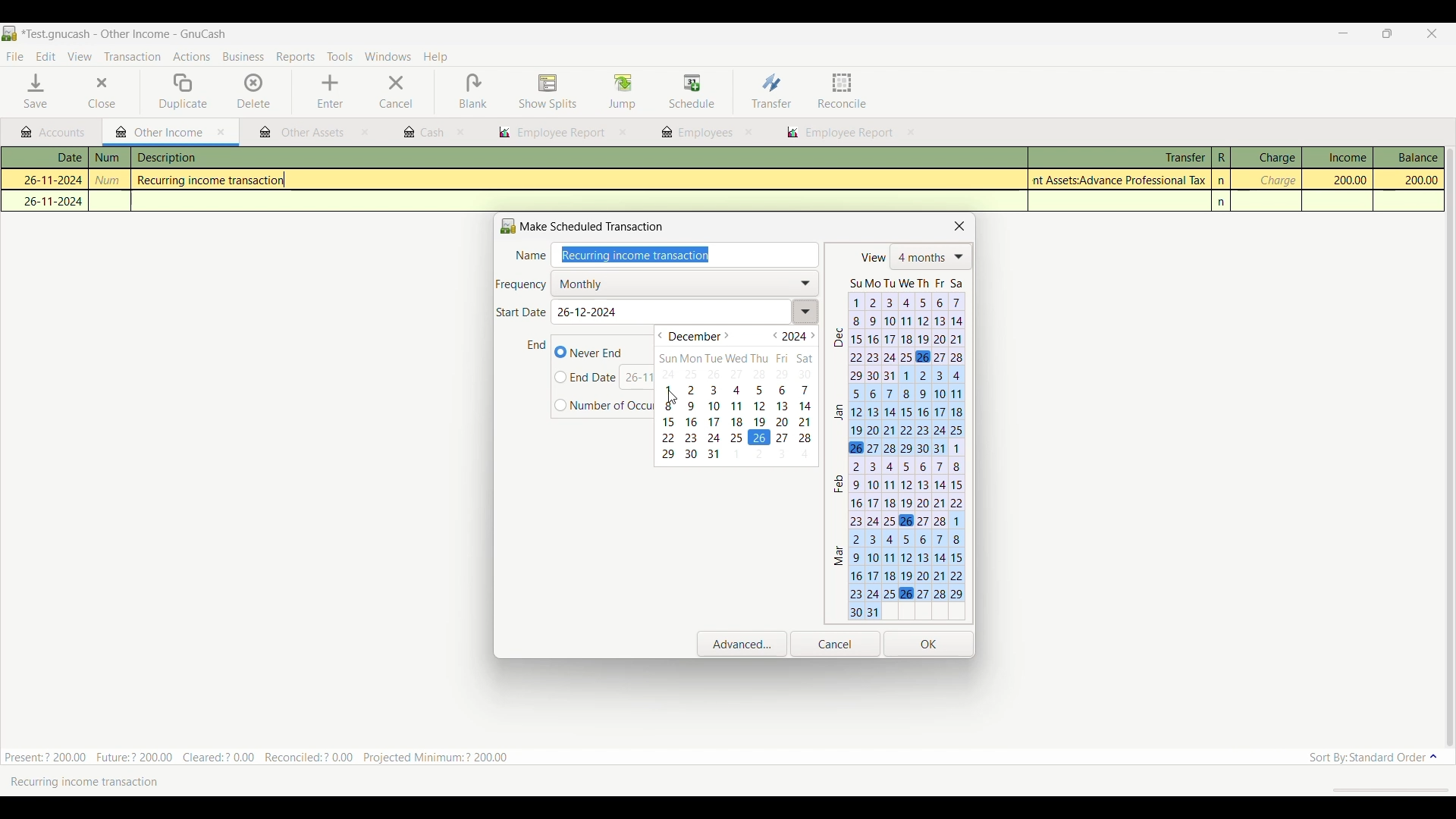 Image resolution: width=1456 pixels, height=819 pixels. What do you see at coordinates (37, 91) in the screenshot?
I see `Save menu` at bounding box center [37, 91].